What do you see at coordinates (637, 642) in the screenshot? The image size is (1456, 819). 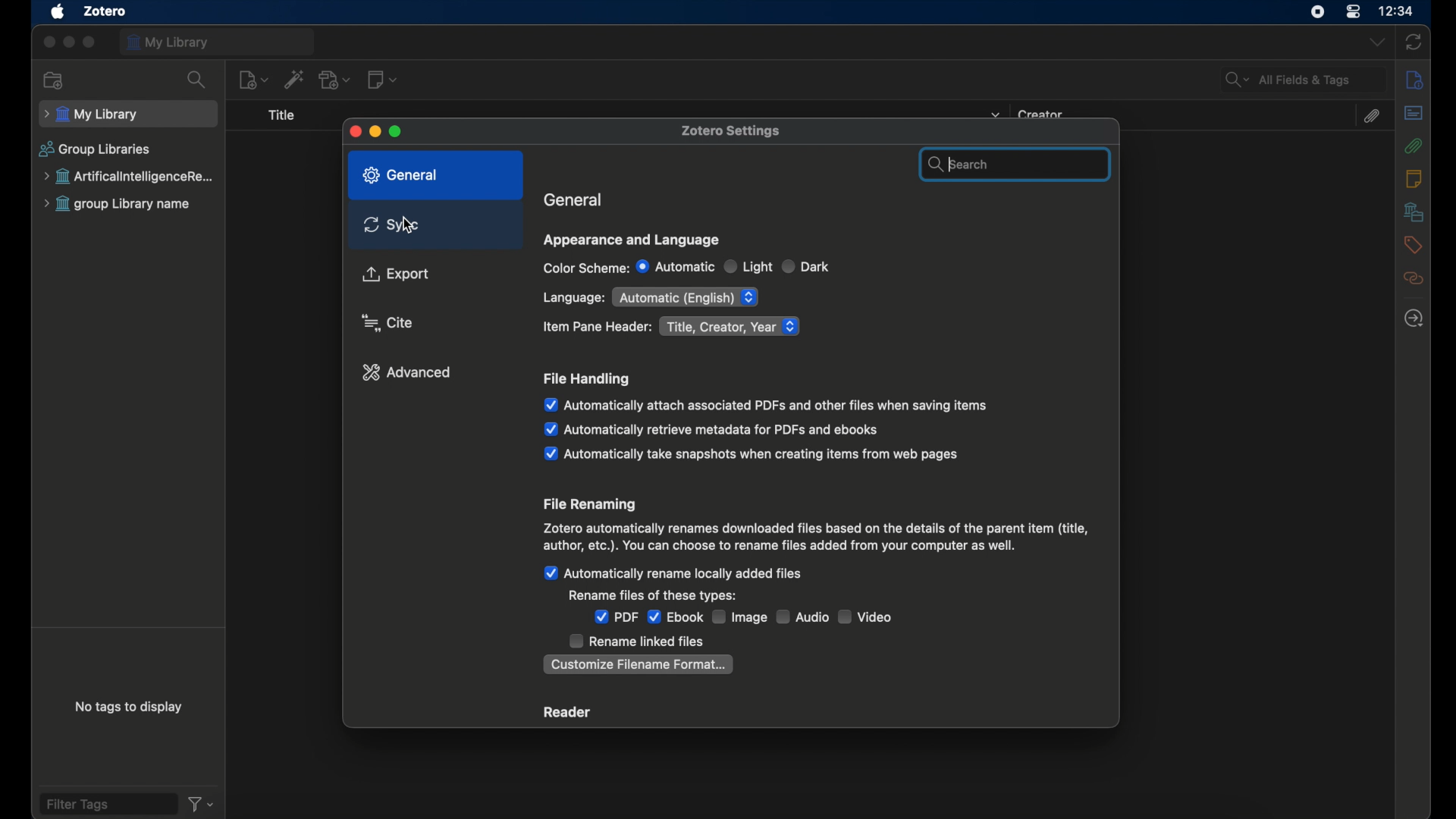 I see `rename linked files checkbox` at bounding box center [637, 642].